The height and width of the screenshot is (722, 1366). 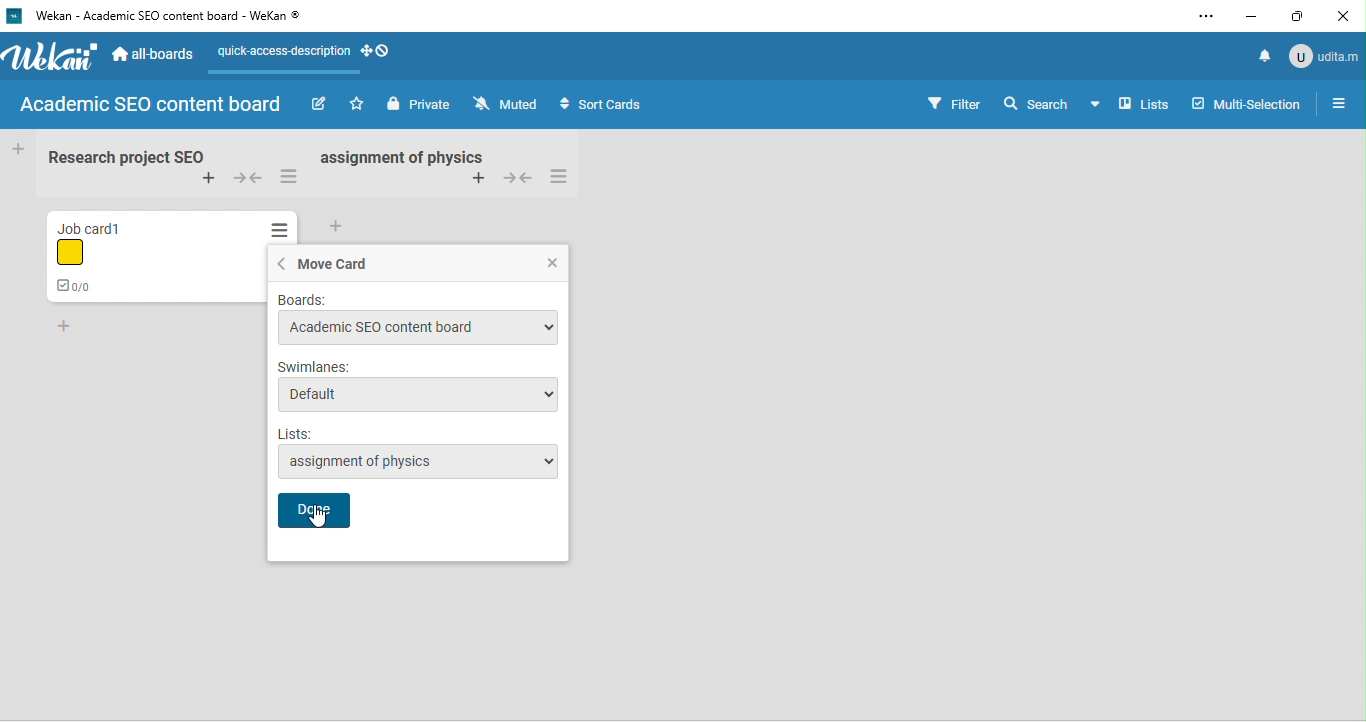 What do you see at coordinates (1265, 52) in the screenshot?
I see `notifications` at bounding box center [1265, 52].